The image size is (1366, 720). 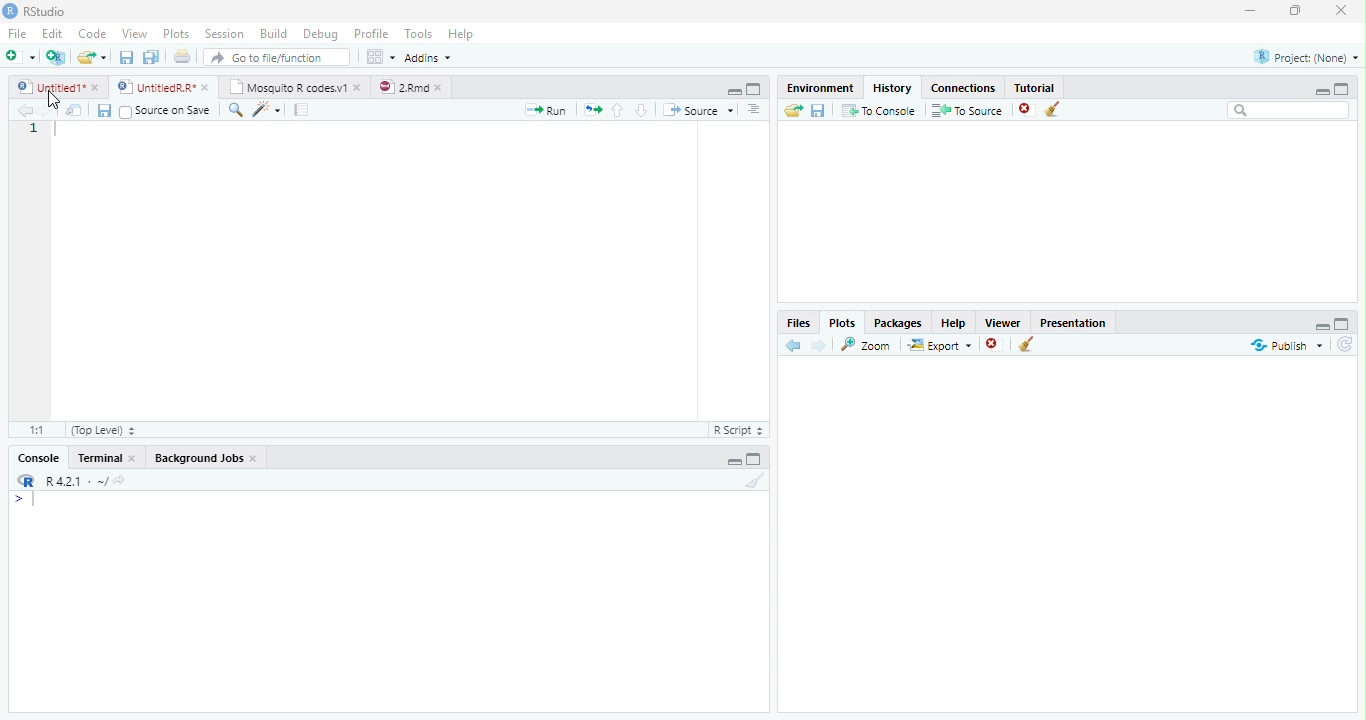 What do you see at coordinates (843, 321) in the screenshot?
I see `Plots` at bounding box center [843, 321].